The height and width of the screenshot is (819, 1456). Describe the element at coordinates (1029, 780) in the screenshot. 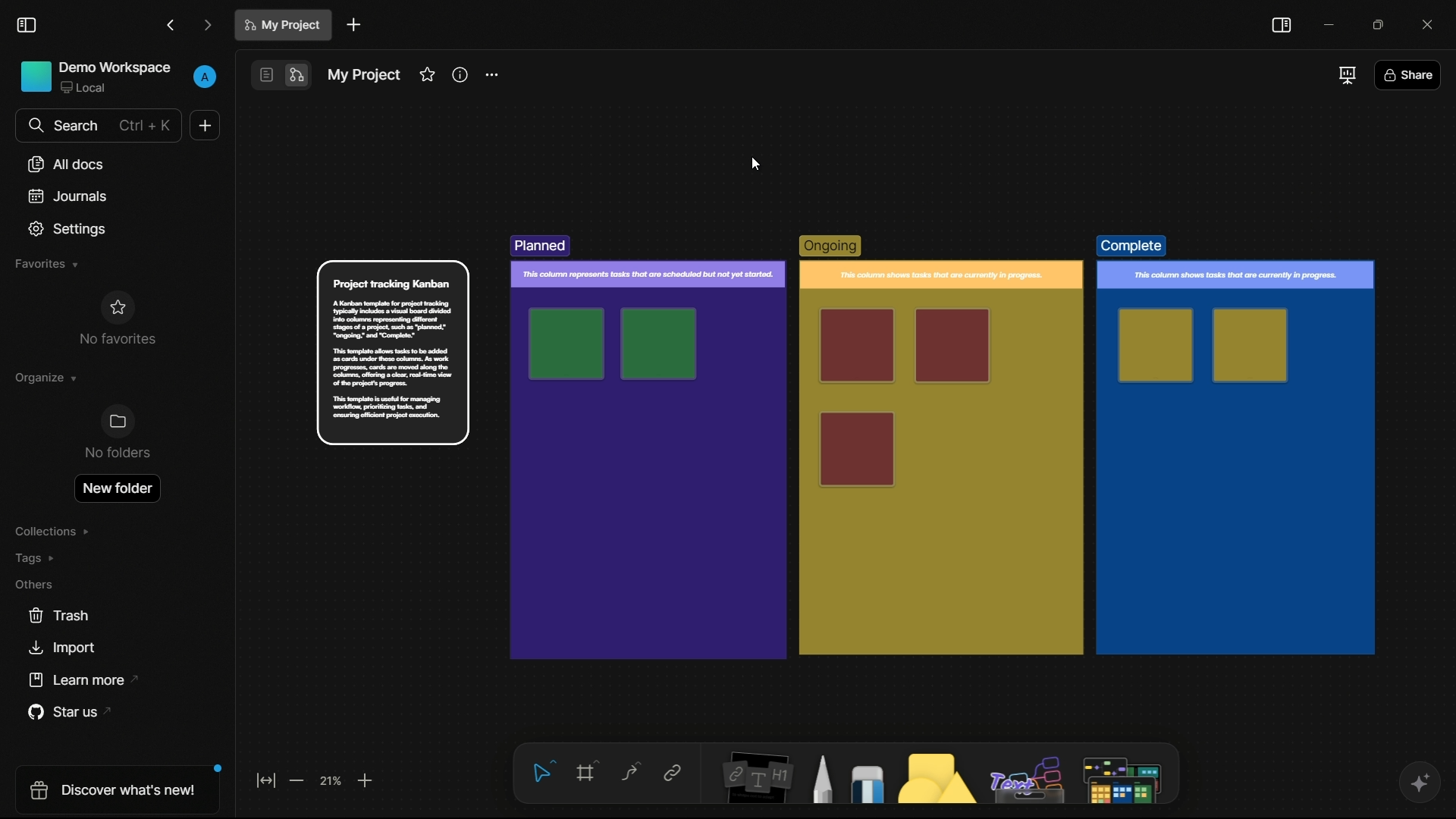

I see `others` at that location.